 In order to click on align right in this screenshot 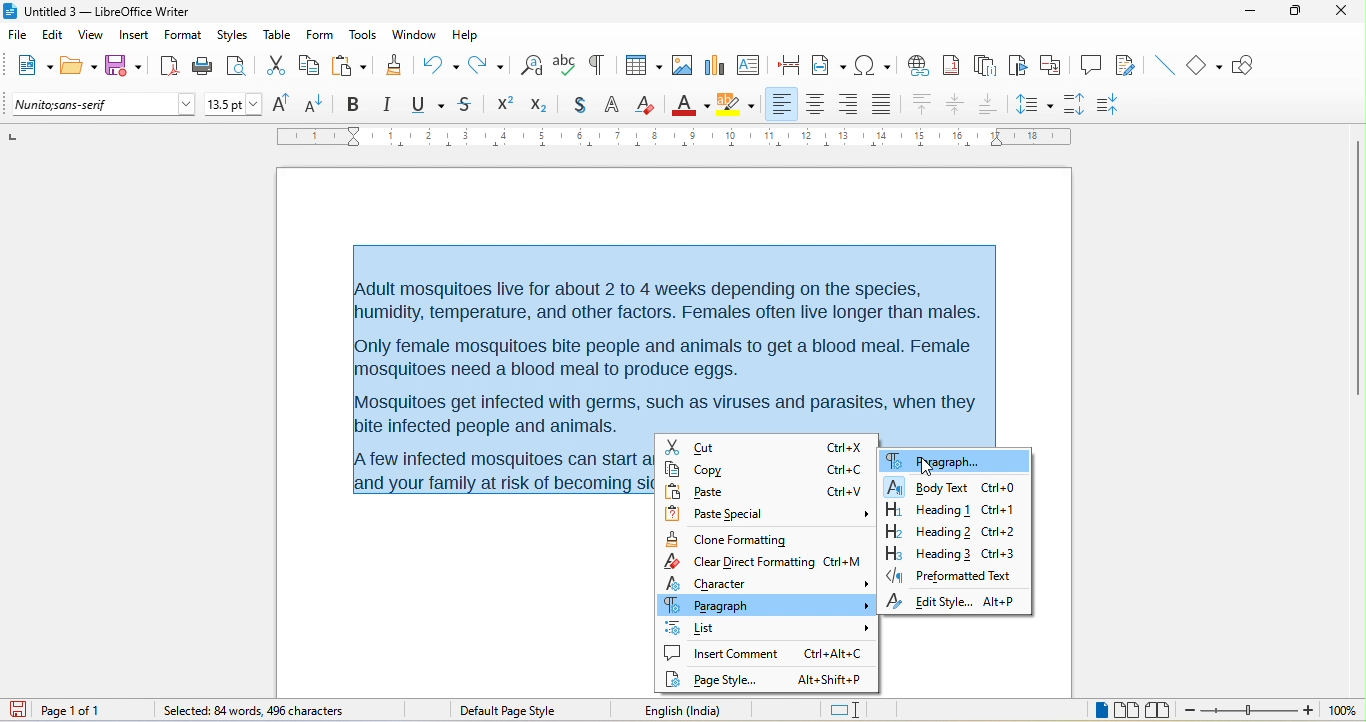, I will do `click(847, 105)`.